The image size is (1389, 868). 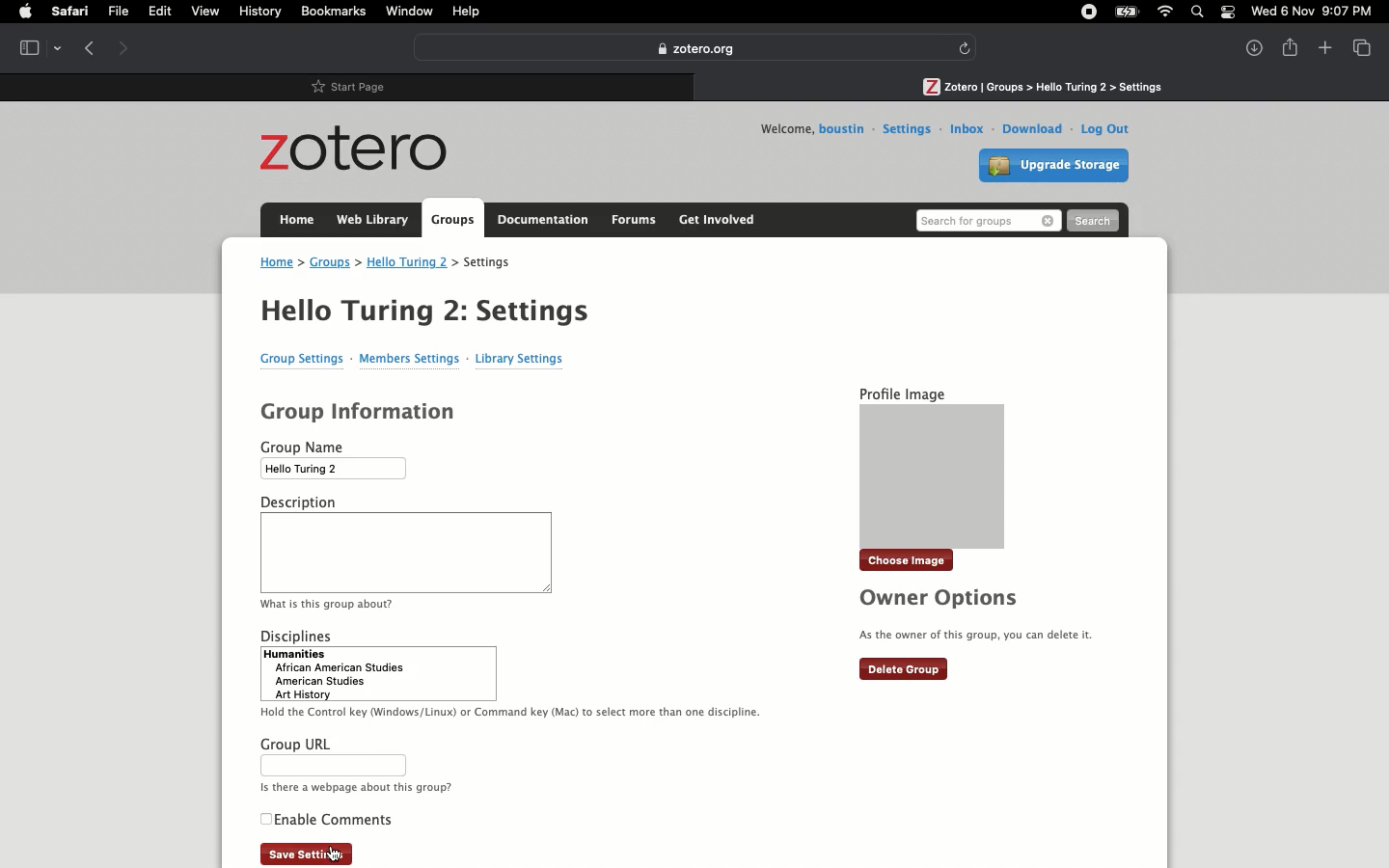 What do you see at coordinates (1042, 84) in the screenshot?
I see `Path` at bounding box center [1042, 84].